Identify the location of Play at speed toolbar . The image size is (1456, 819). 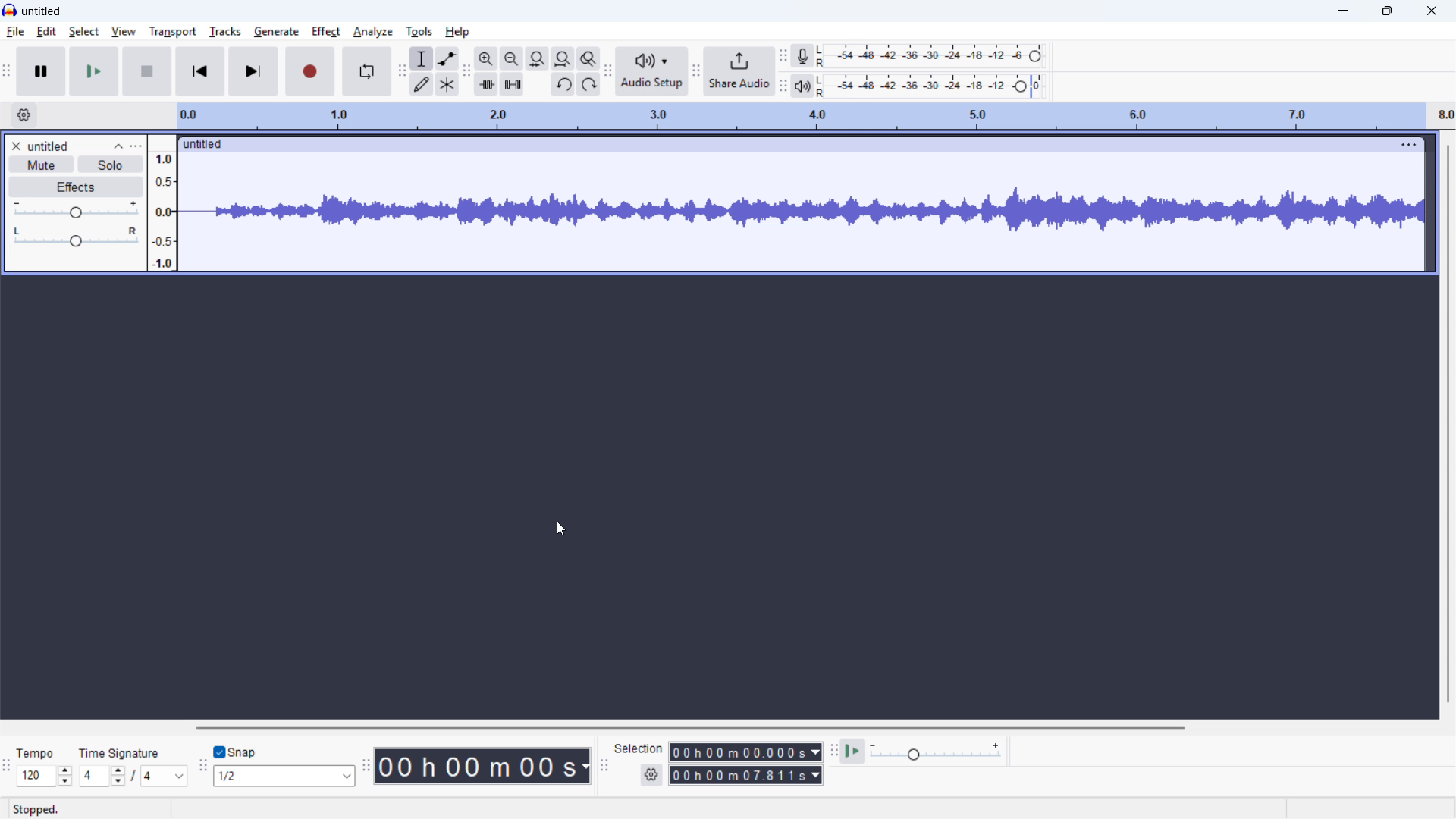
(831, 751).